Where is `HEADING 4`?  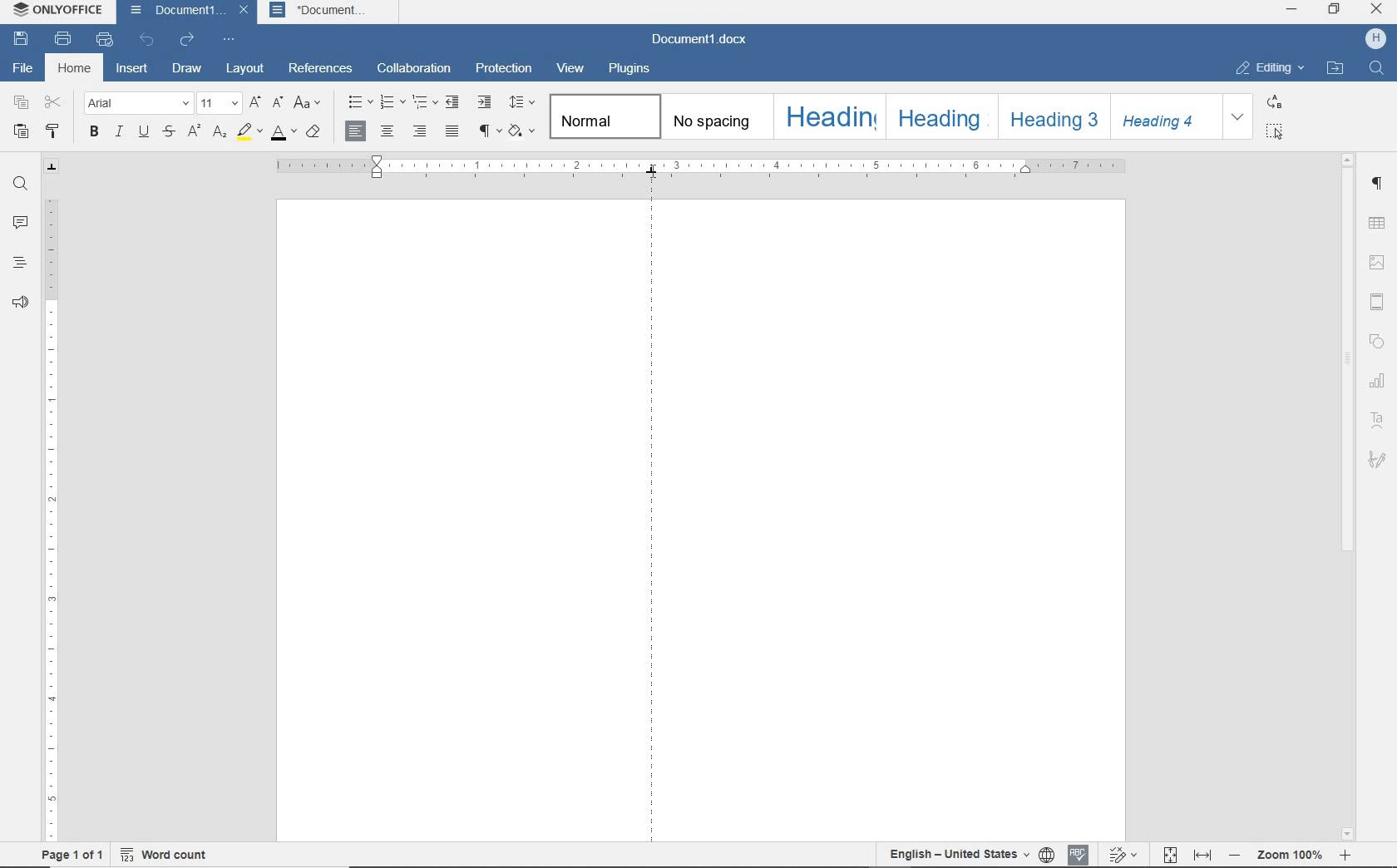
HEADING 4 is located at coordinates (1164, 116).